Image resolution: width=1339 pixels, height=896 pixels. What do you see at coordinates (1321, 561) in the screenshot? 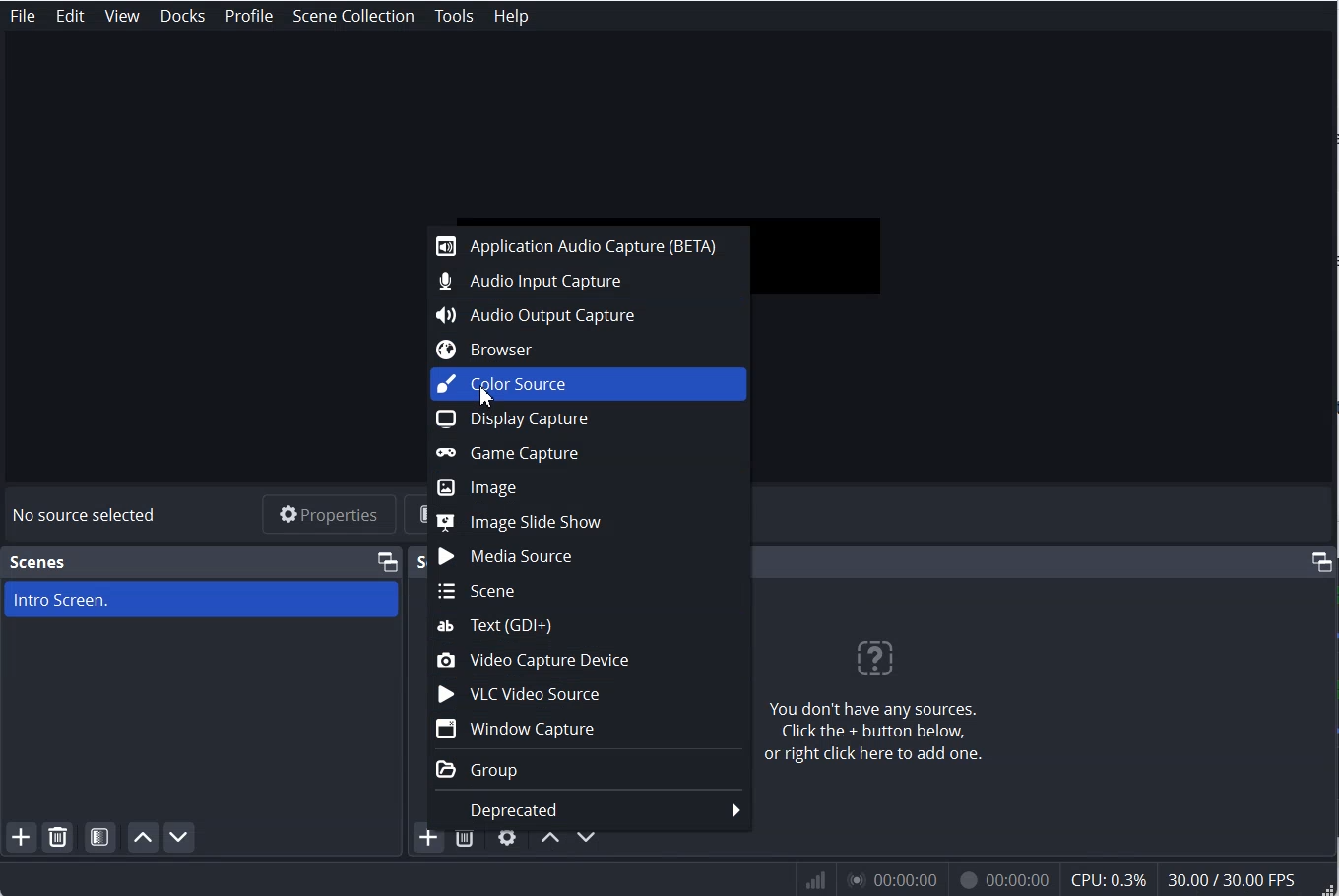
I see `Maximize` at bounding box center [1321, 561].